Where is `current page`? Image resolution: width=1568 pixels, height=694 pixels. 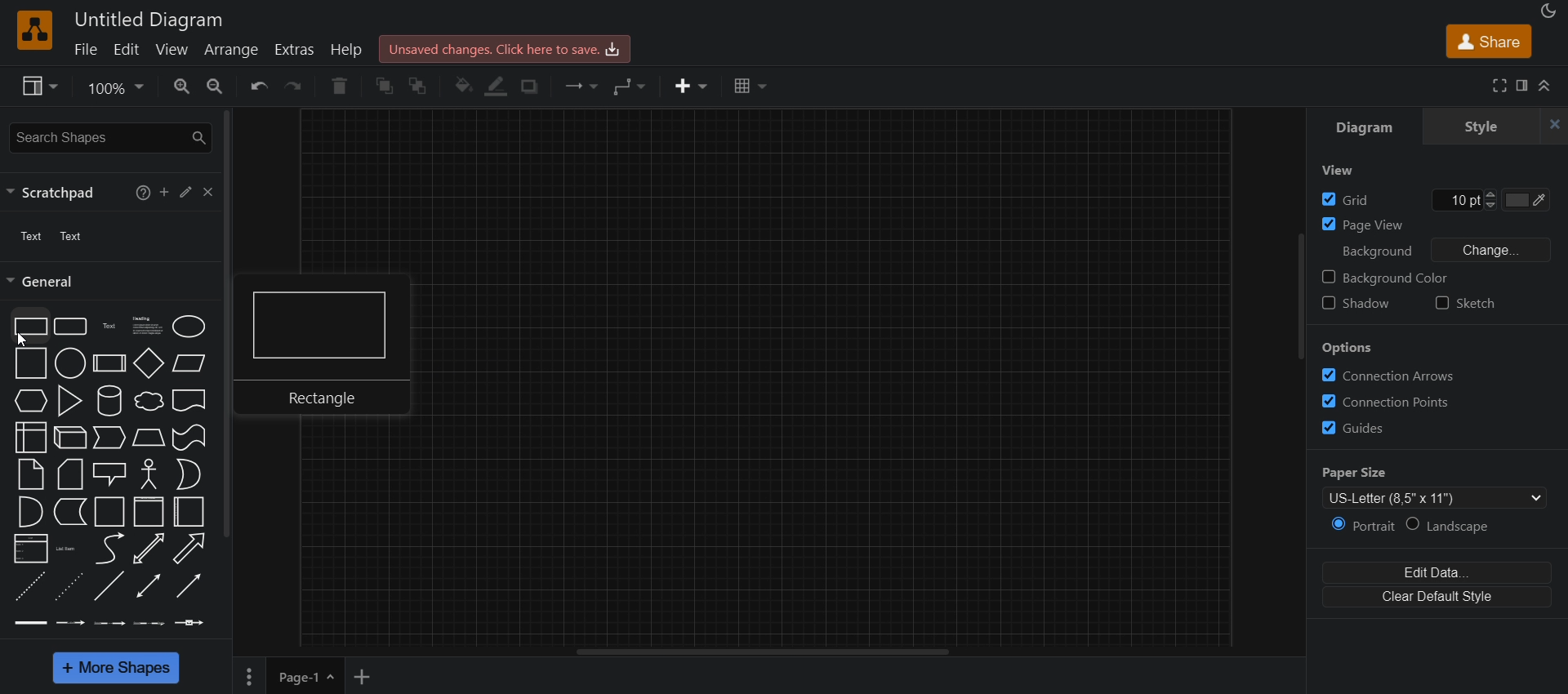
current page is located at coordinates (307, 676).